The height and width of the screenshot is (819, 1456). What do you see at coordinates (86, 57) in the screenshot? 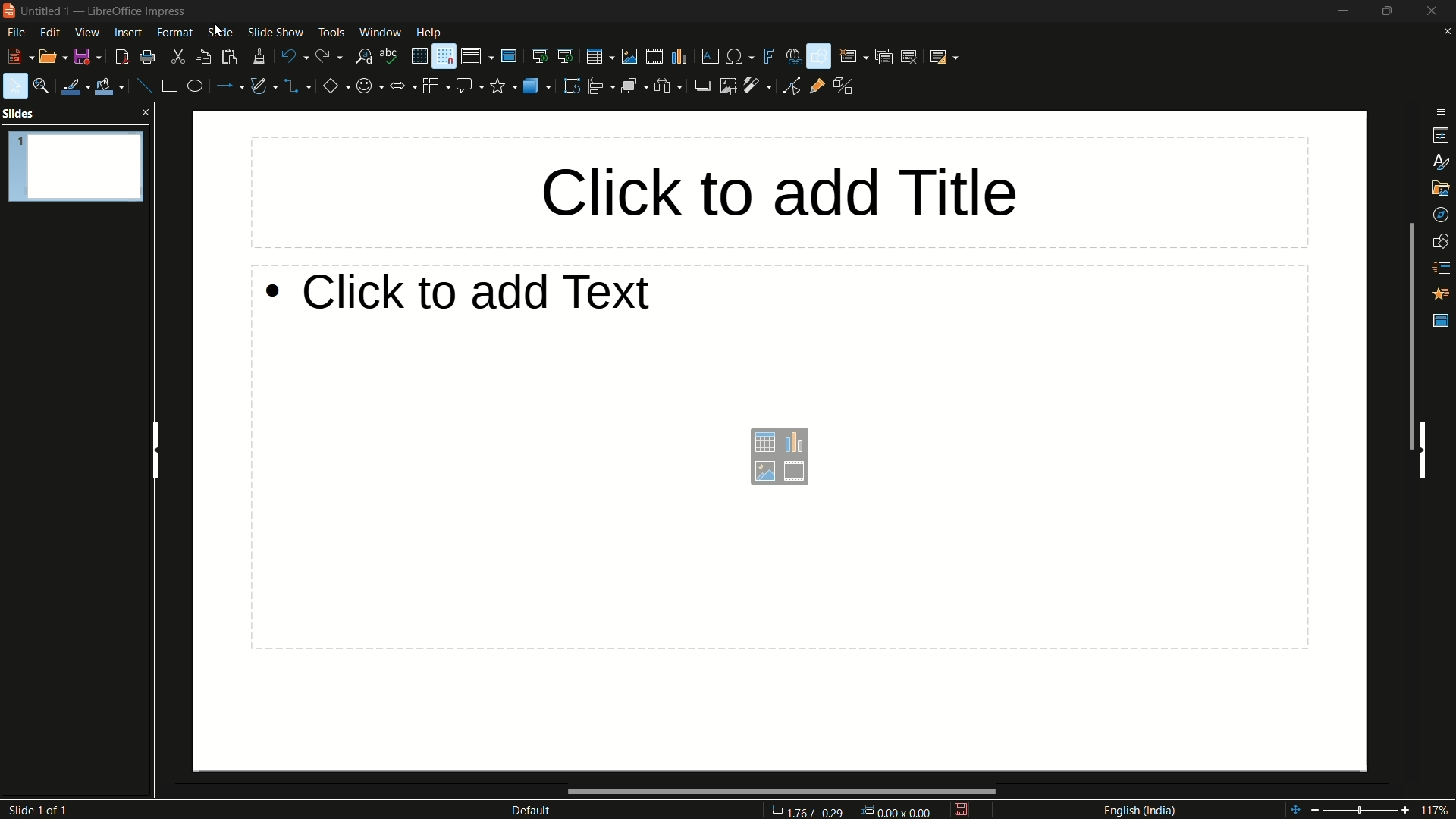
I see `save` at bounding box center [86, 57].